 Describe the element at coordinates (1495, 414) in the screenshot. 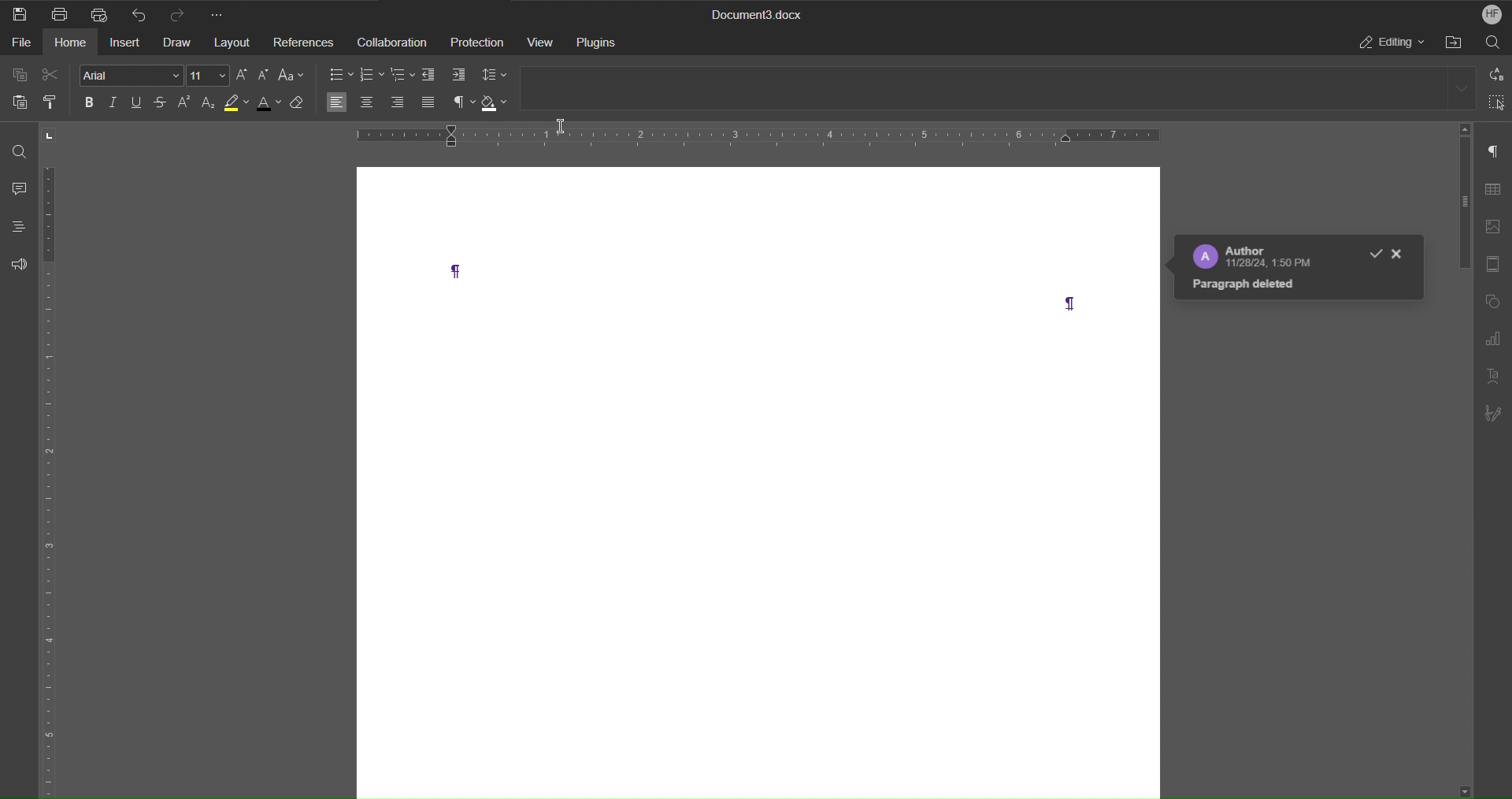

I see `Signature` at that location.